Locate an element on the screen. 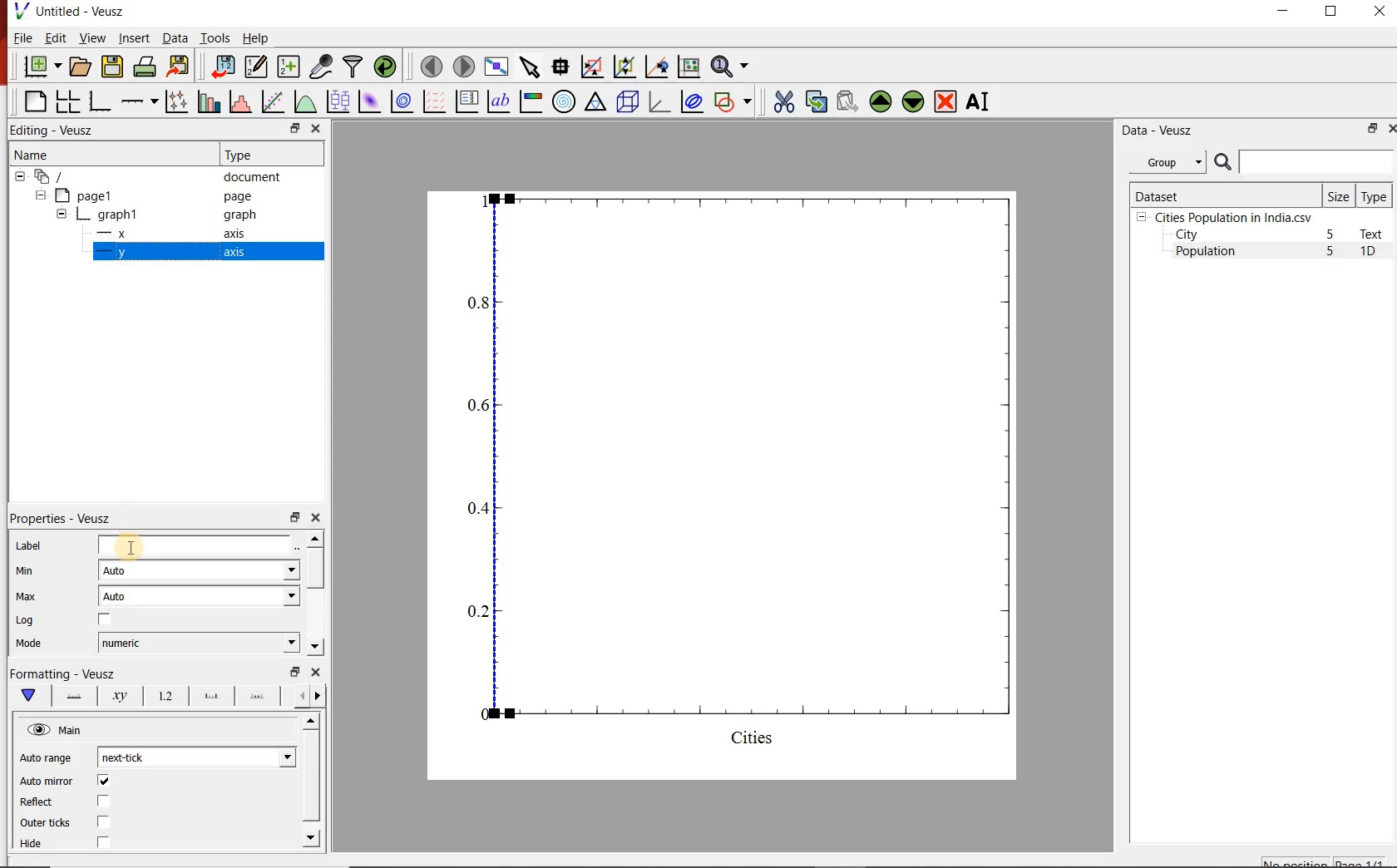 The height and width of the screenshot is (868, 1397). Add an axis to the plot is located at coordinates (139, 99).